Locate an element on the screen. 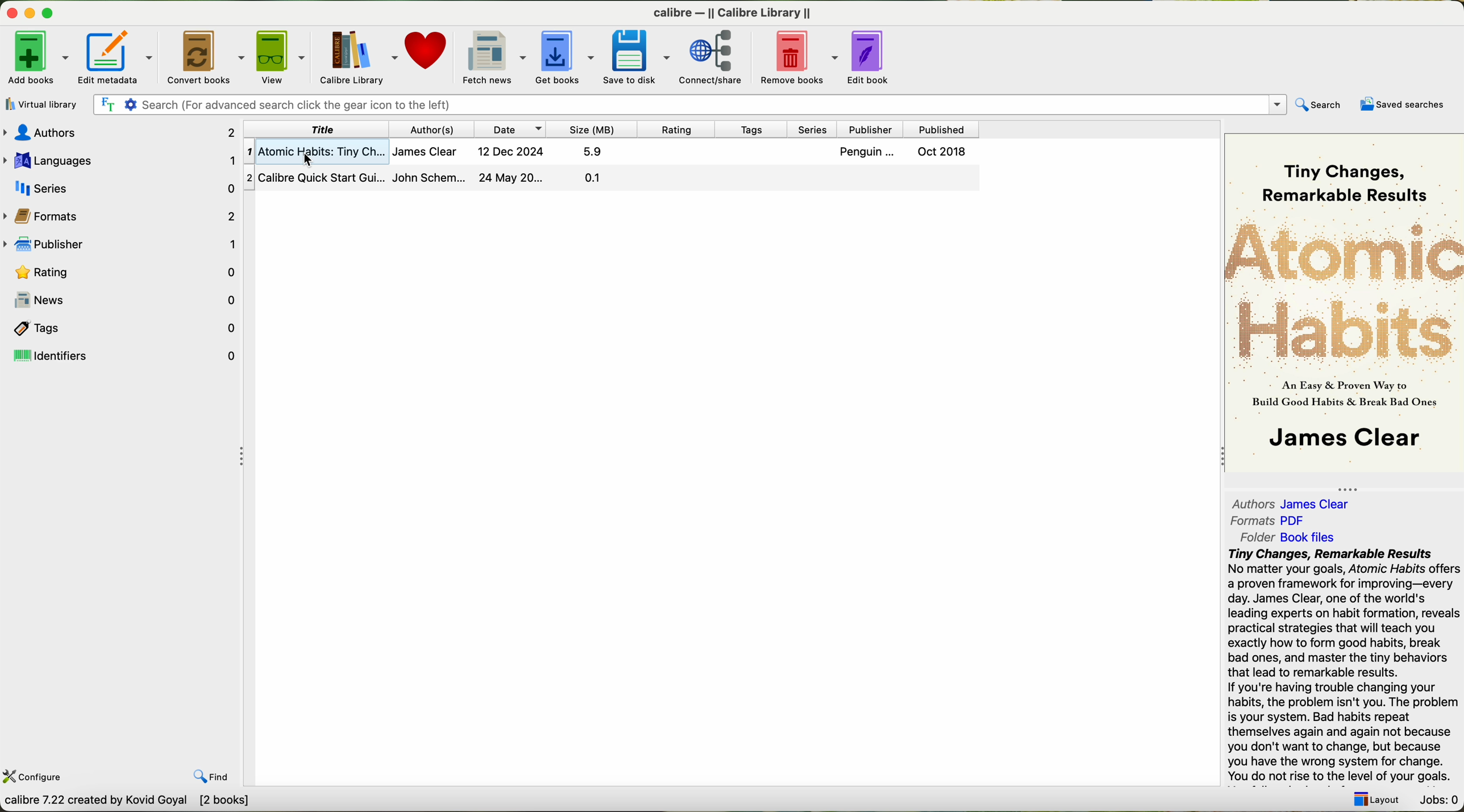 The height and width of the screenshot is (812, 1464). news is located at coordinates (123, 297).